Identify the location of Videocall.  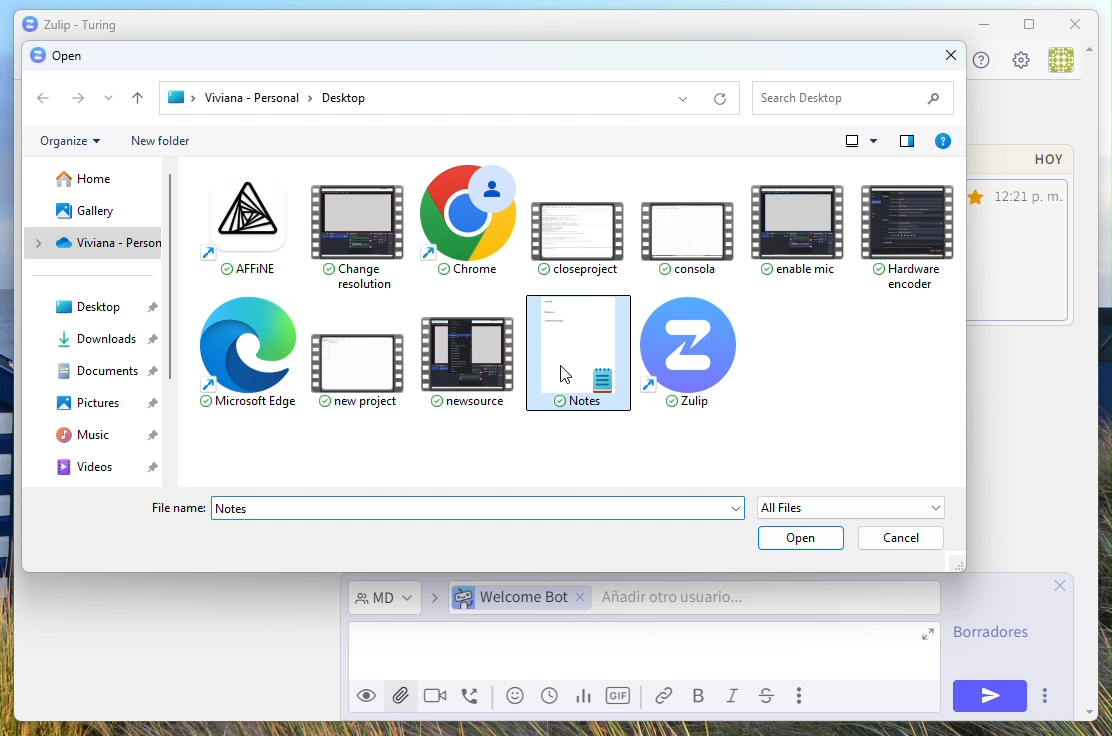
(435, 694).